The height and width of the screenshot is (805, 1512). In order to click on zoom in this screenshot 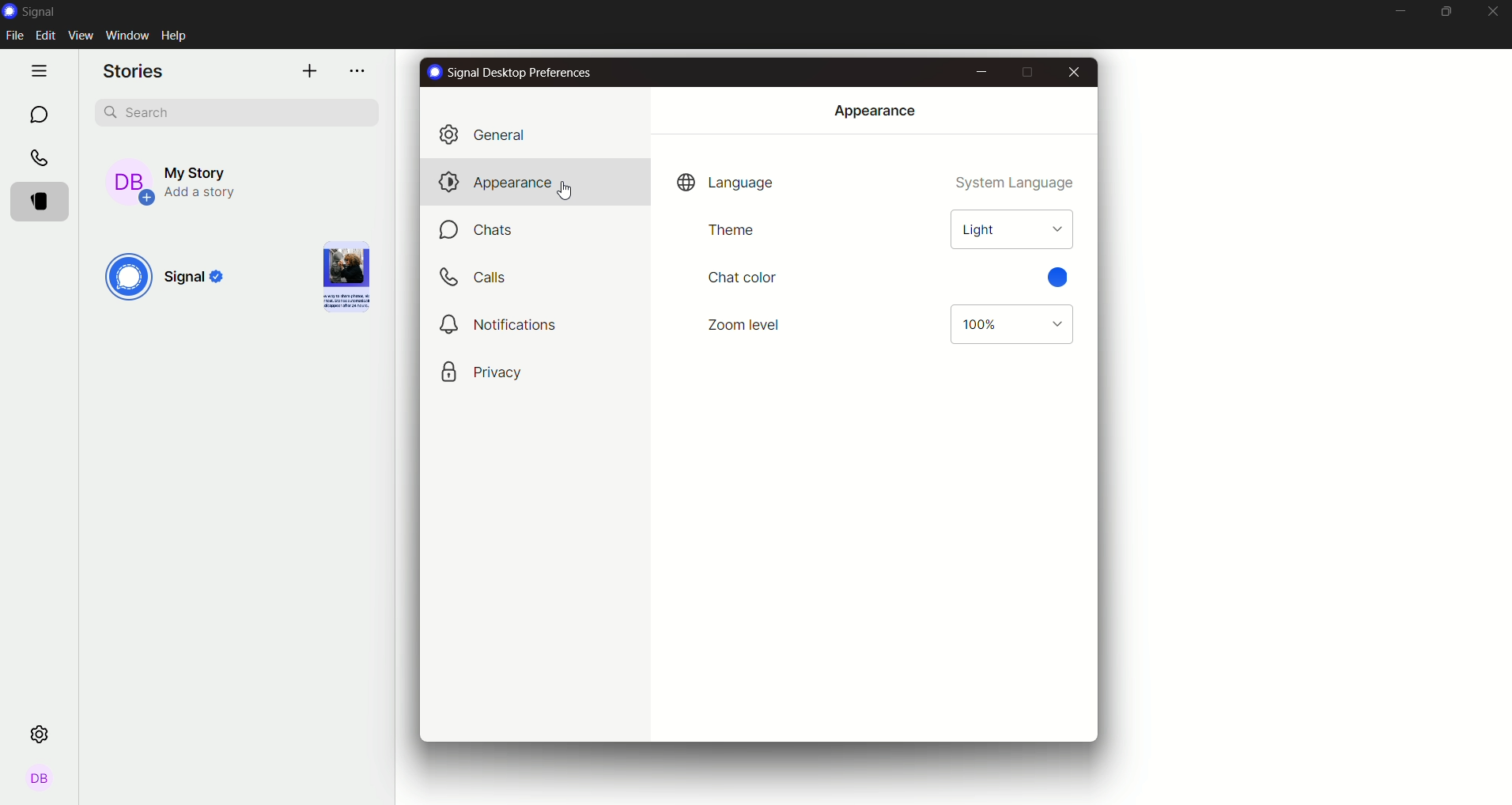, I will do `click(1009, 325)`.